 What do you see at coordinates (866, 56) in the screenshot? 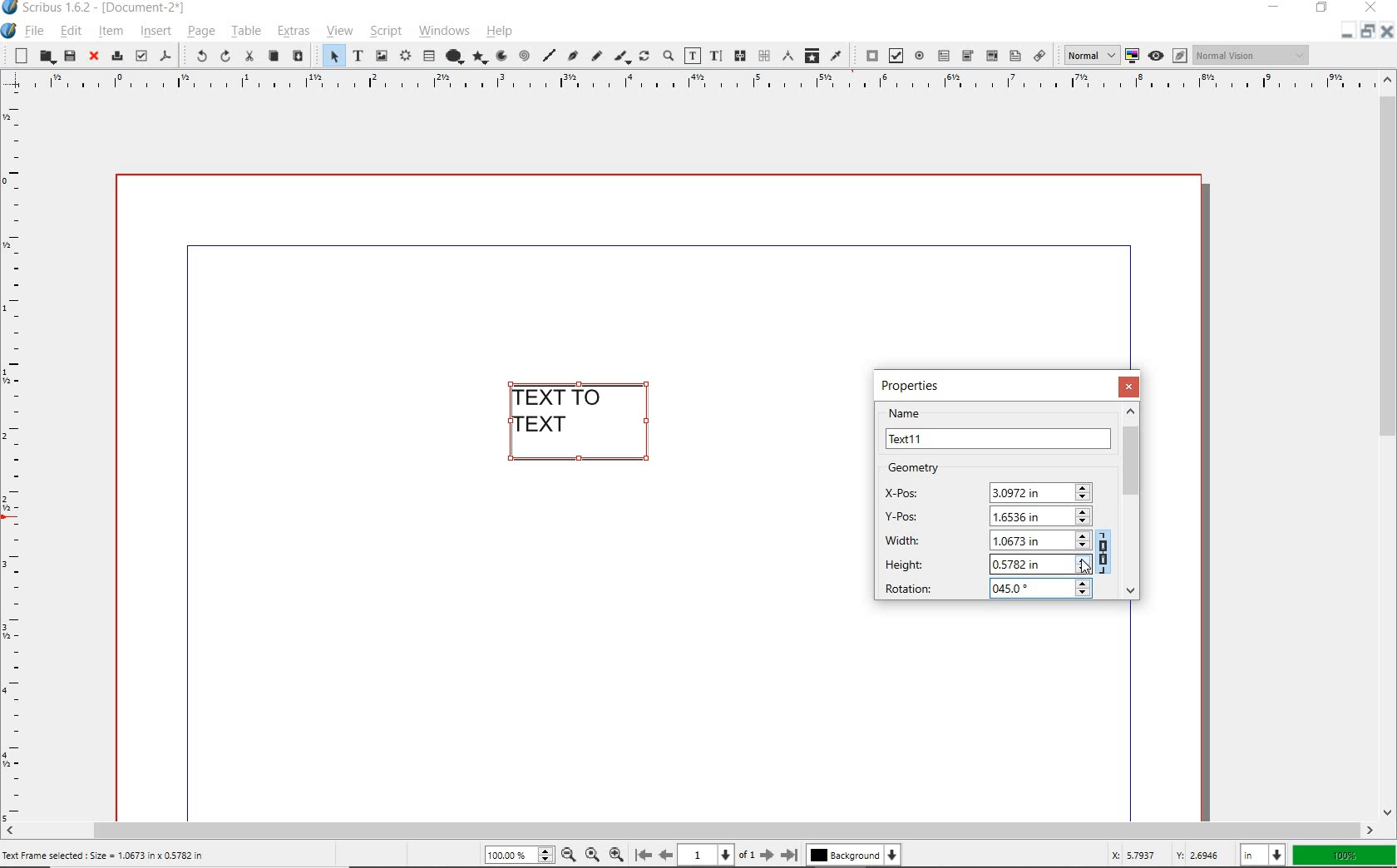
I see `pdf push button` at bounding box center [866, 56].